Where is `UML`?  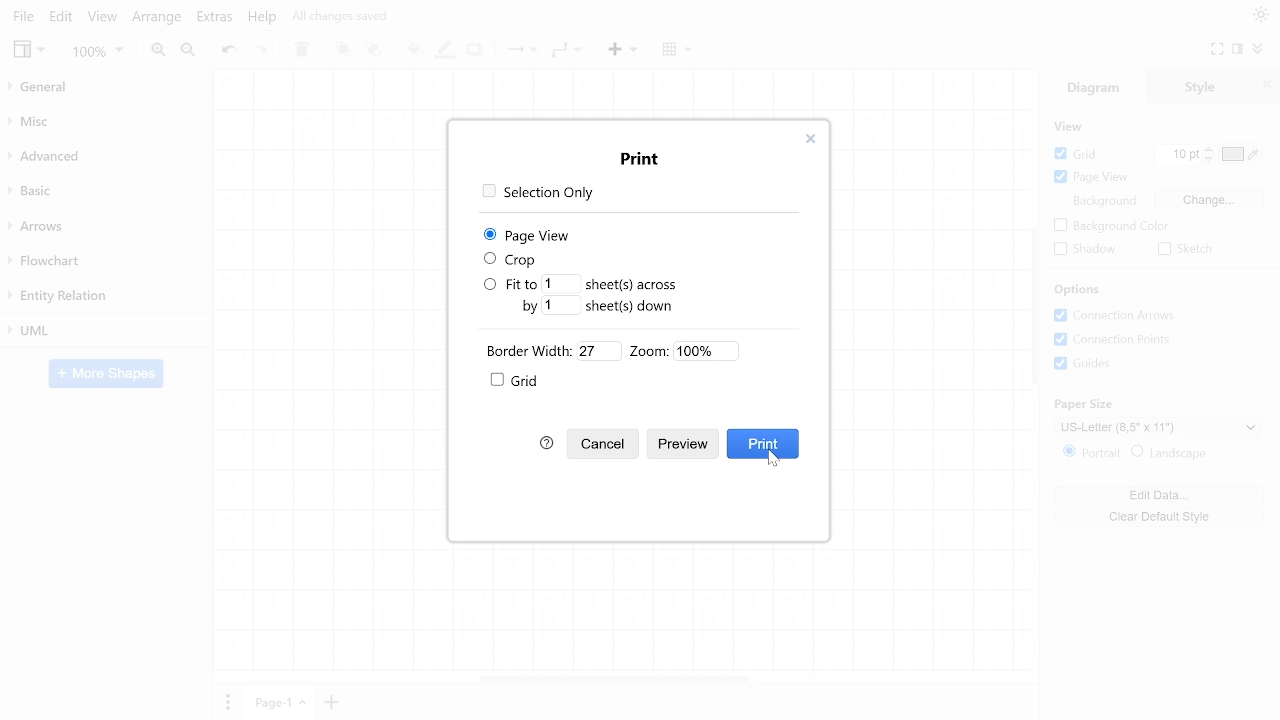
UML is located at coordinates (106, 331).